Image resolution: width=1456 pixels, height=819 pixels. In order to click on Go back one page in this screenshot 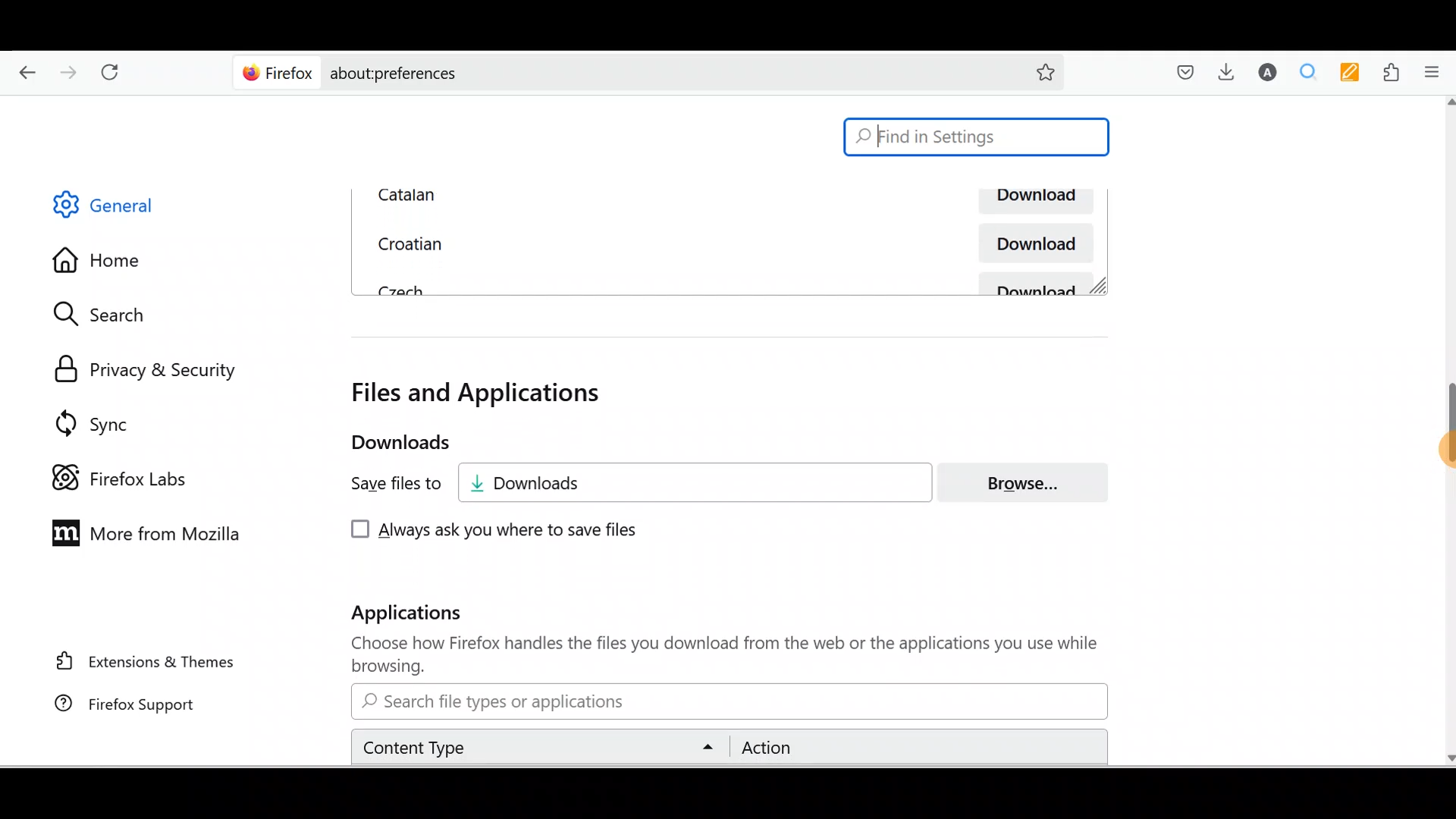, I will do `click(23, 75)`.